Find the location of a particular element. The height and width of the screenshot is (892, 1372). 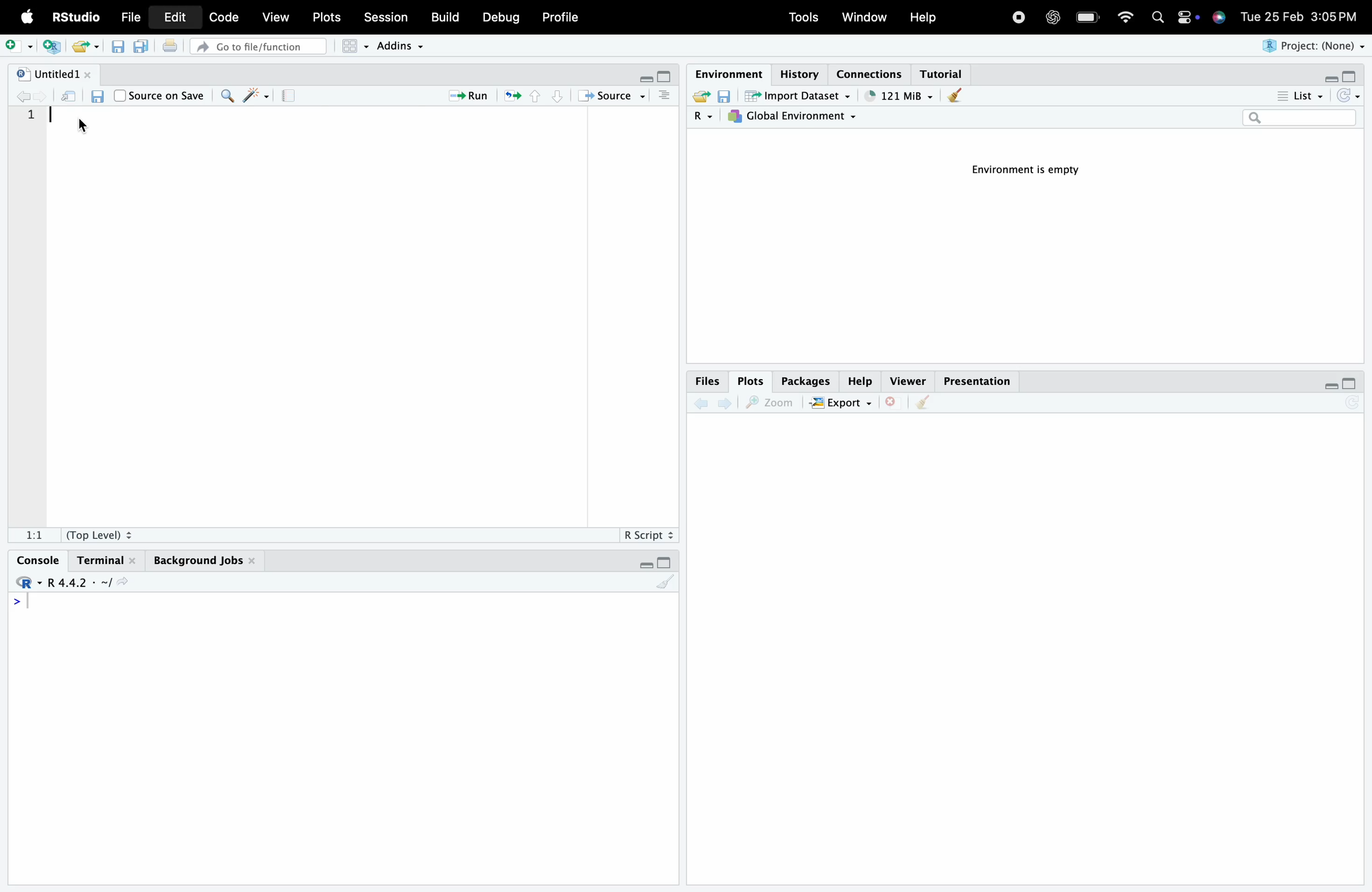

1:1 is located at coordinates (33, 535).